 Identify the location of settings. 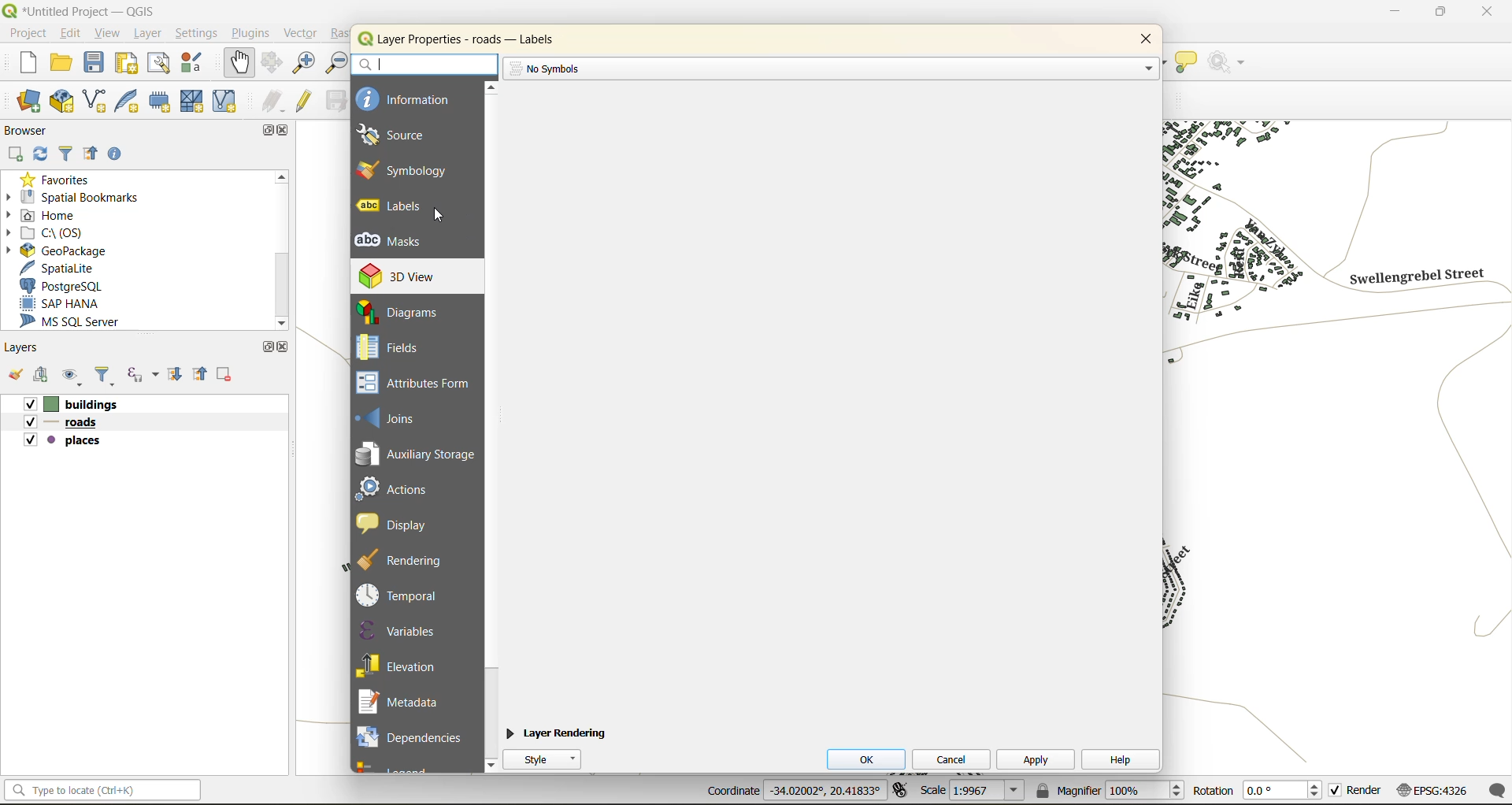
(197, 35).